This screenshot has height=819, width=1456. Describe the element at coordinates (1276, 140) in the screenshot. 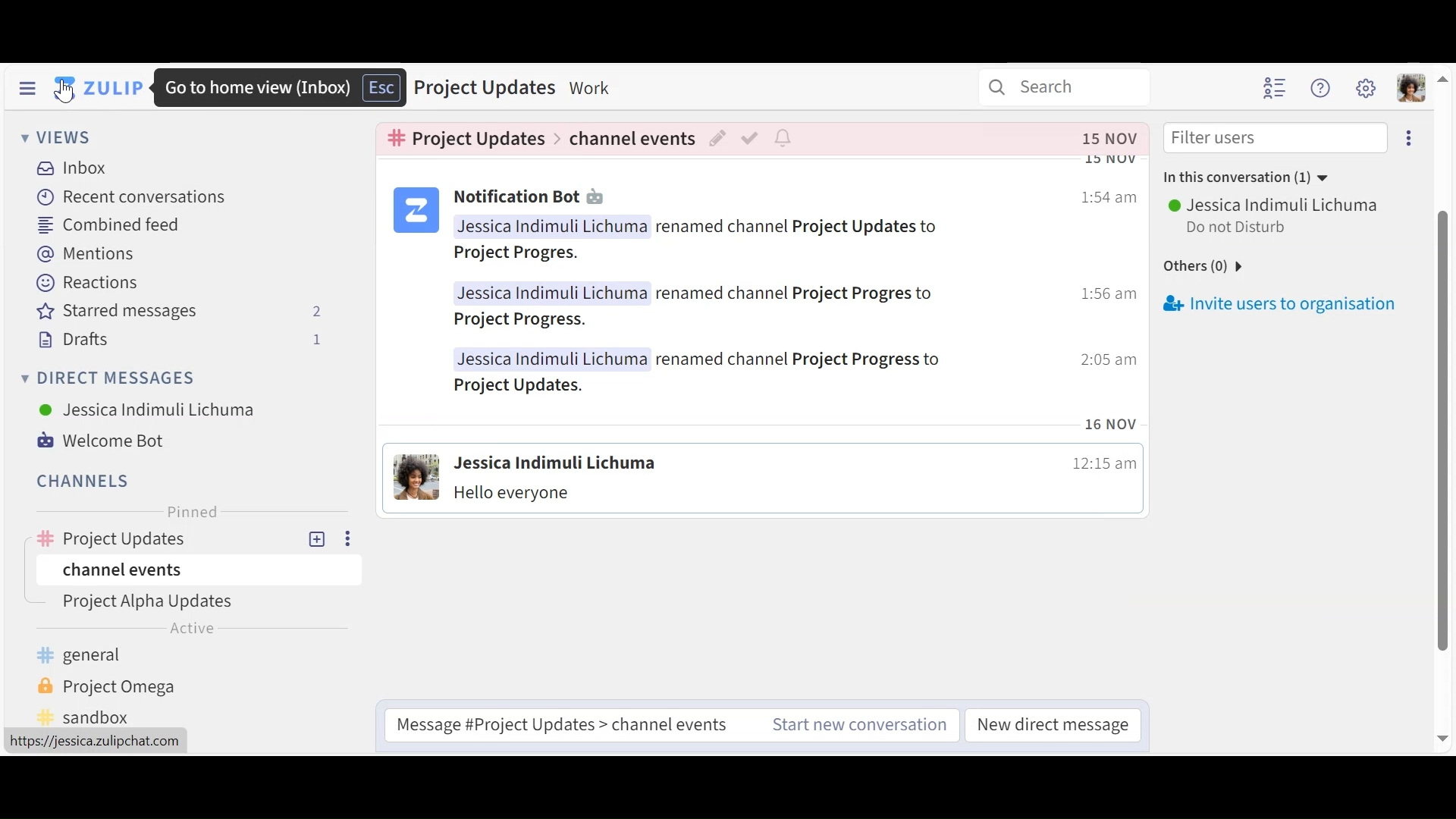

I see `Filter users` at that location.